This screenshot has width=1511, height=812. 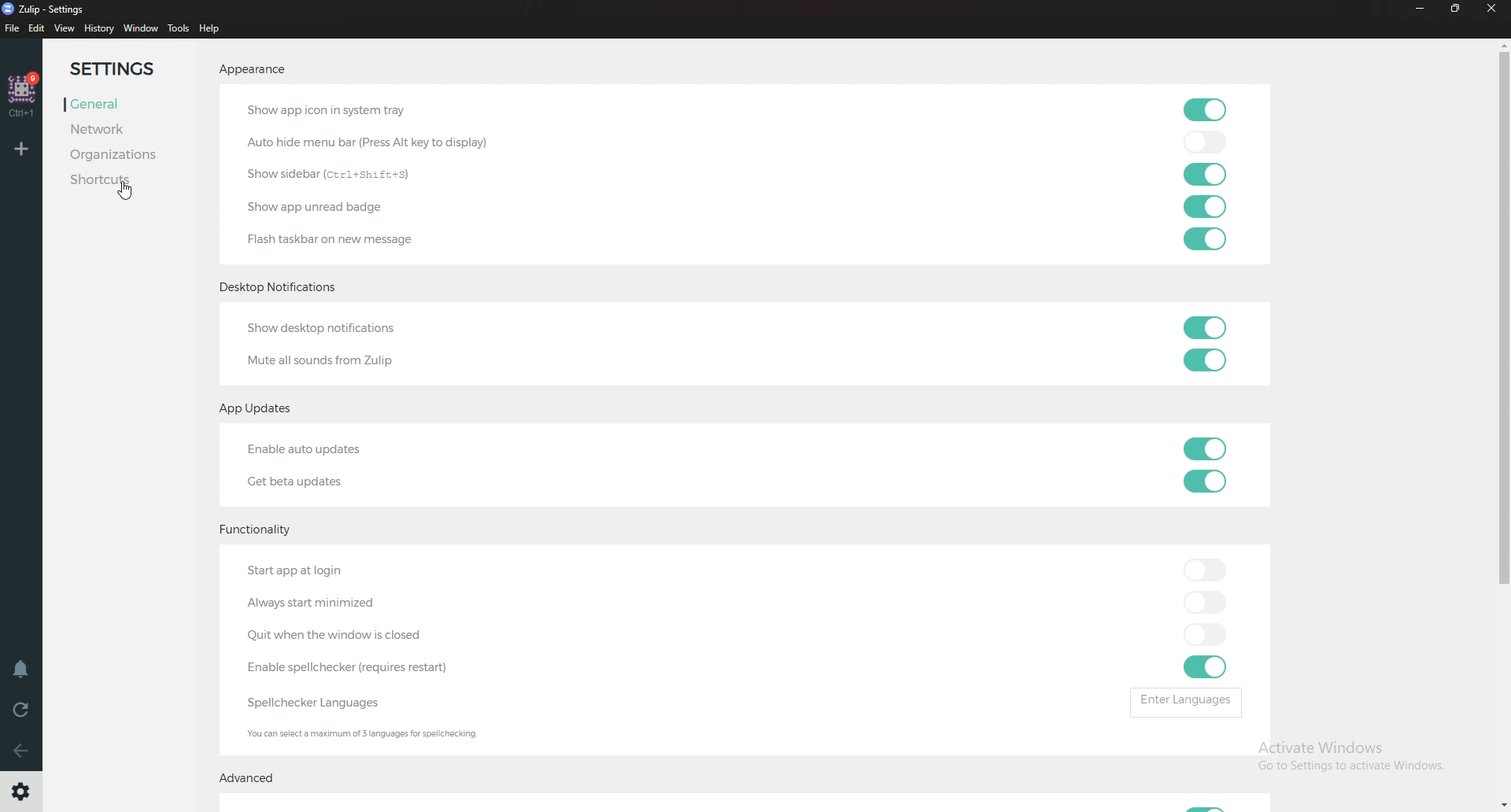 I want to click on Advanced, so click(x=255, y=780).